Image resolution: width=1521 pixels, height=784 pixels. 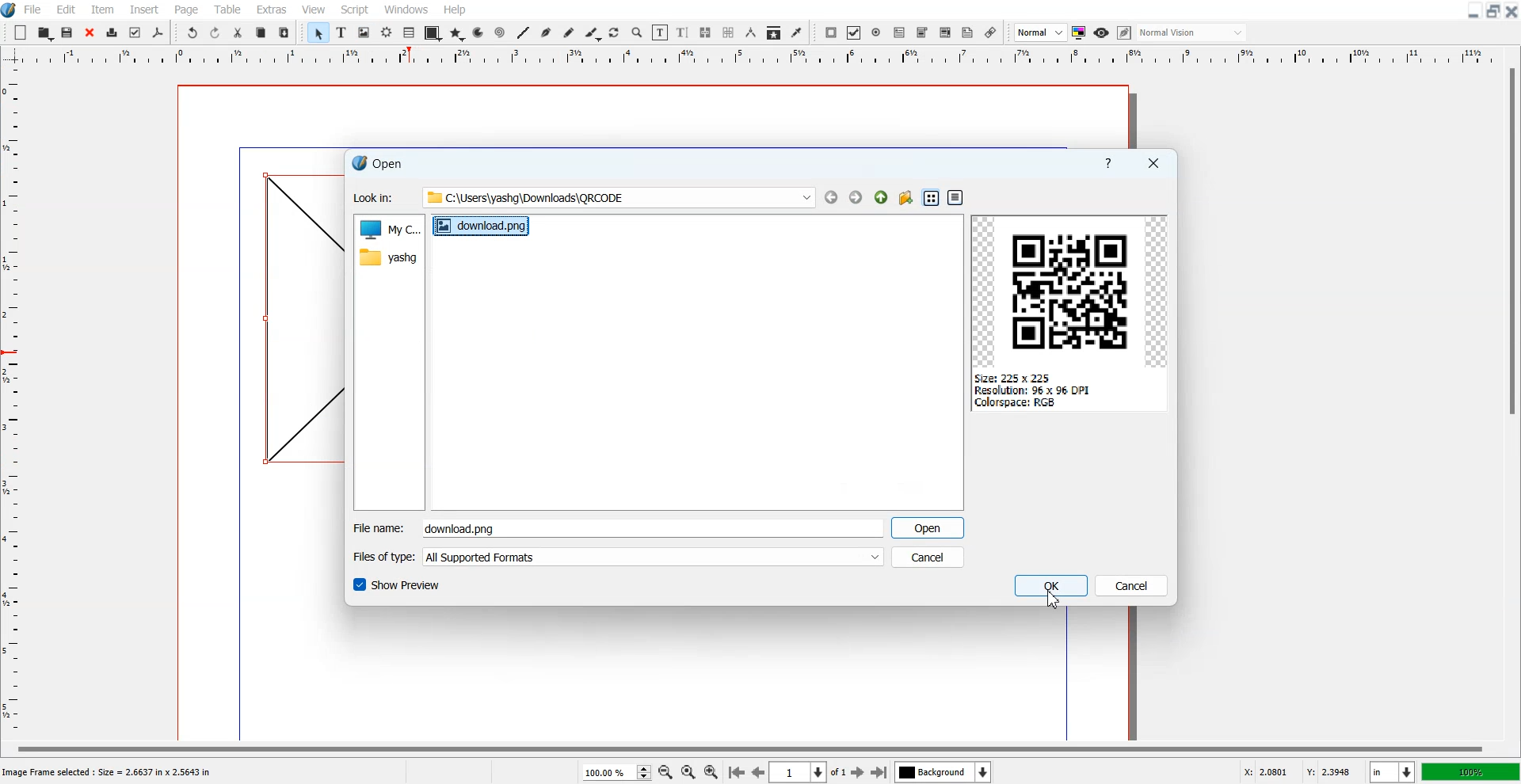 I want to click on Go to Next Page, so click(x=860, y=773).